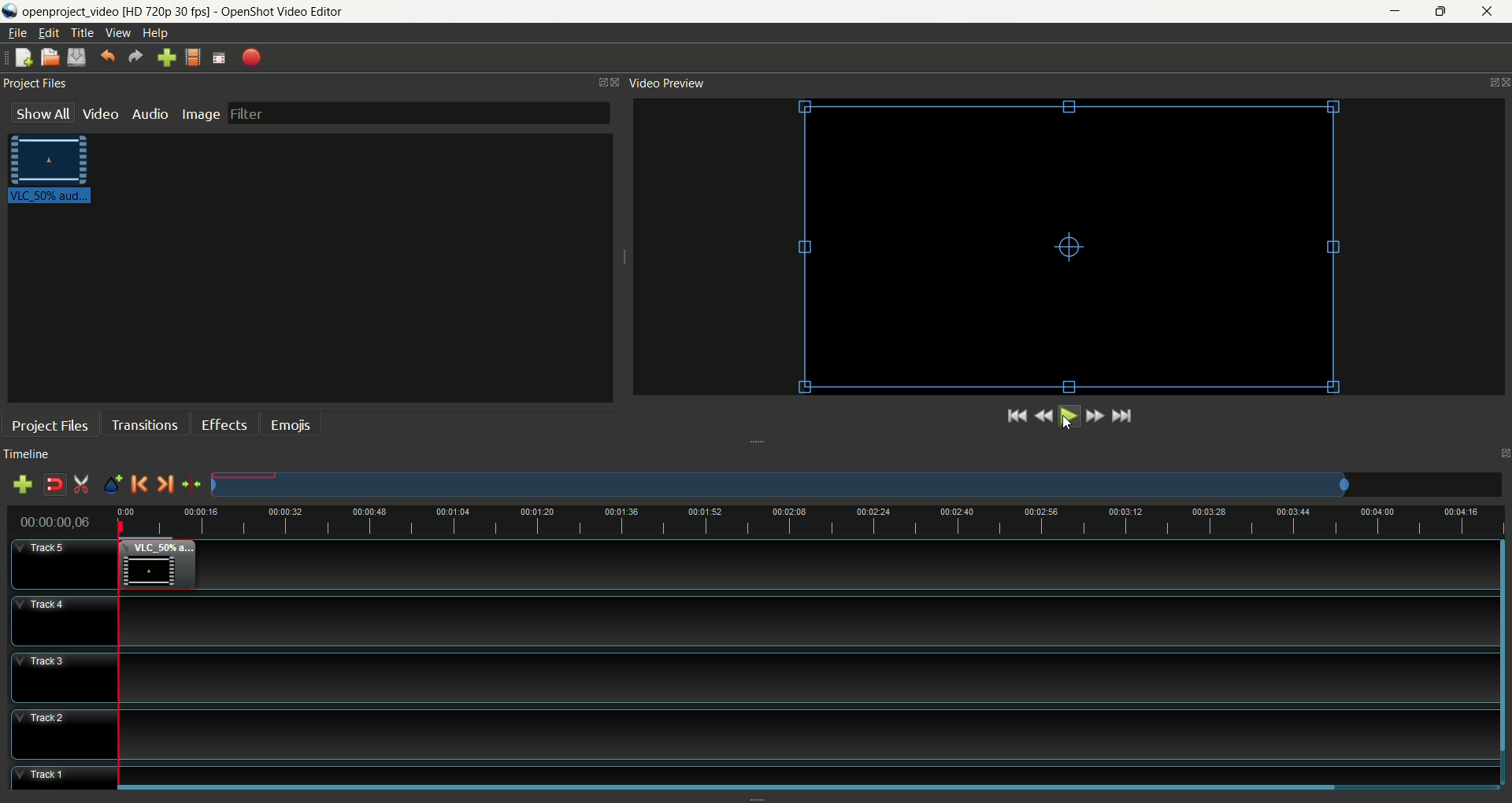 This screenshot has height=803, width=1512. Describe the element at coordinates (193, 56) in the screenshot. I see `choose profile` at that location.